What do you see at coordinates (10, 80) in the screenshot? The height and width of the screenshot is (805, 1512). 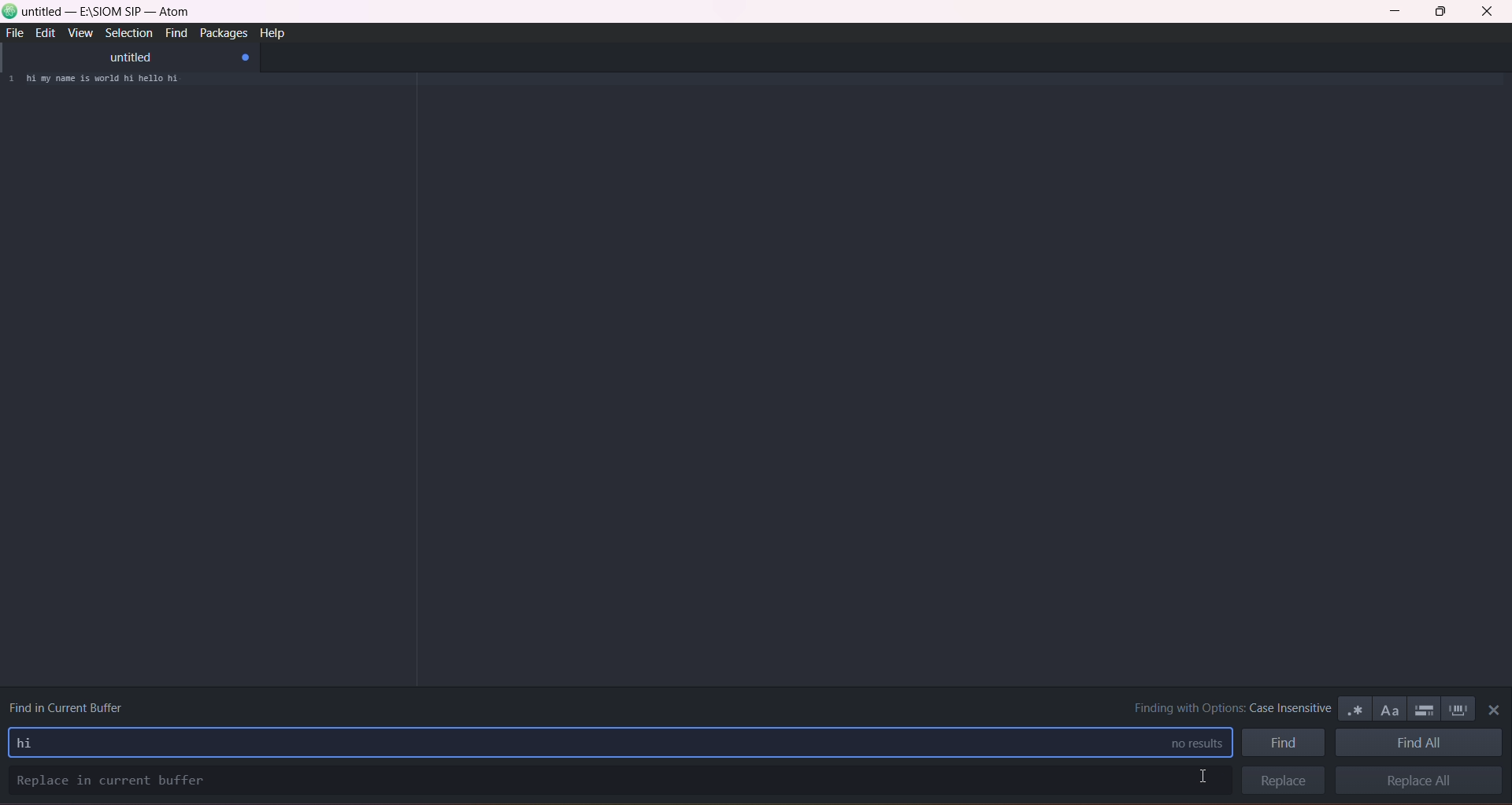 I see `1` at bounding box center [10, 80].